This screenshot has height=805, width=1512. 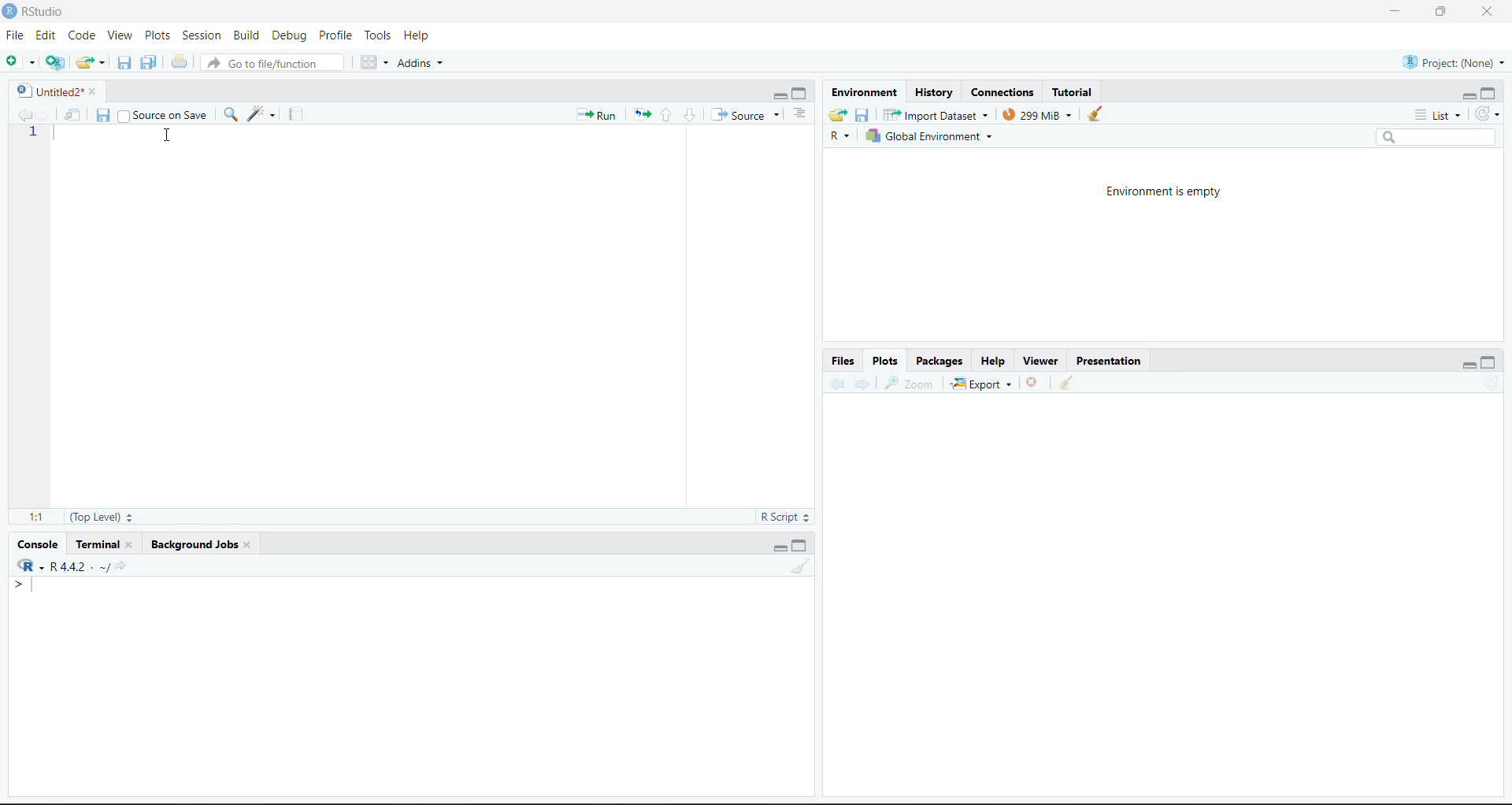 What do you see at coordinates (421, 36) in the screenshot?
I see `Help` at bounding box center [421, 36].